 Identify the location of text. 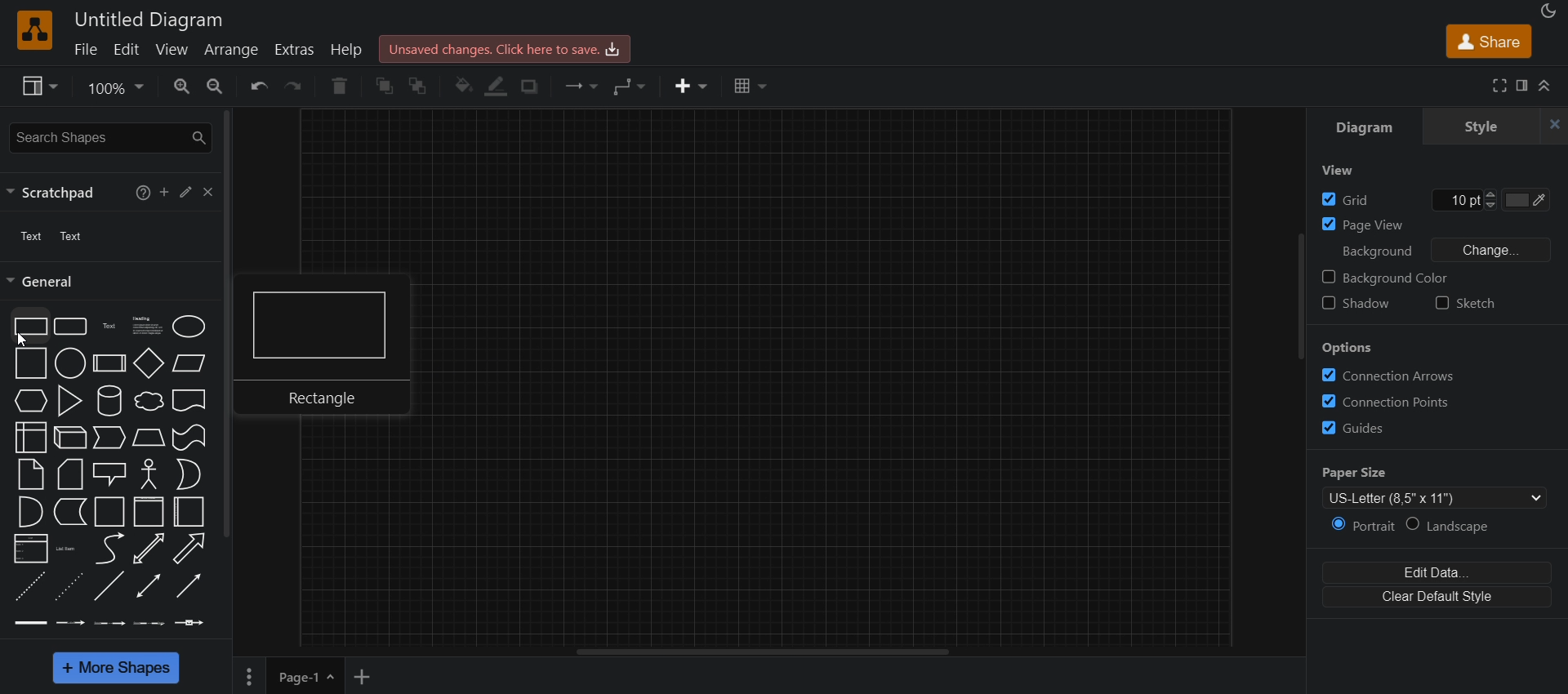
(109, 326).